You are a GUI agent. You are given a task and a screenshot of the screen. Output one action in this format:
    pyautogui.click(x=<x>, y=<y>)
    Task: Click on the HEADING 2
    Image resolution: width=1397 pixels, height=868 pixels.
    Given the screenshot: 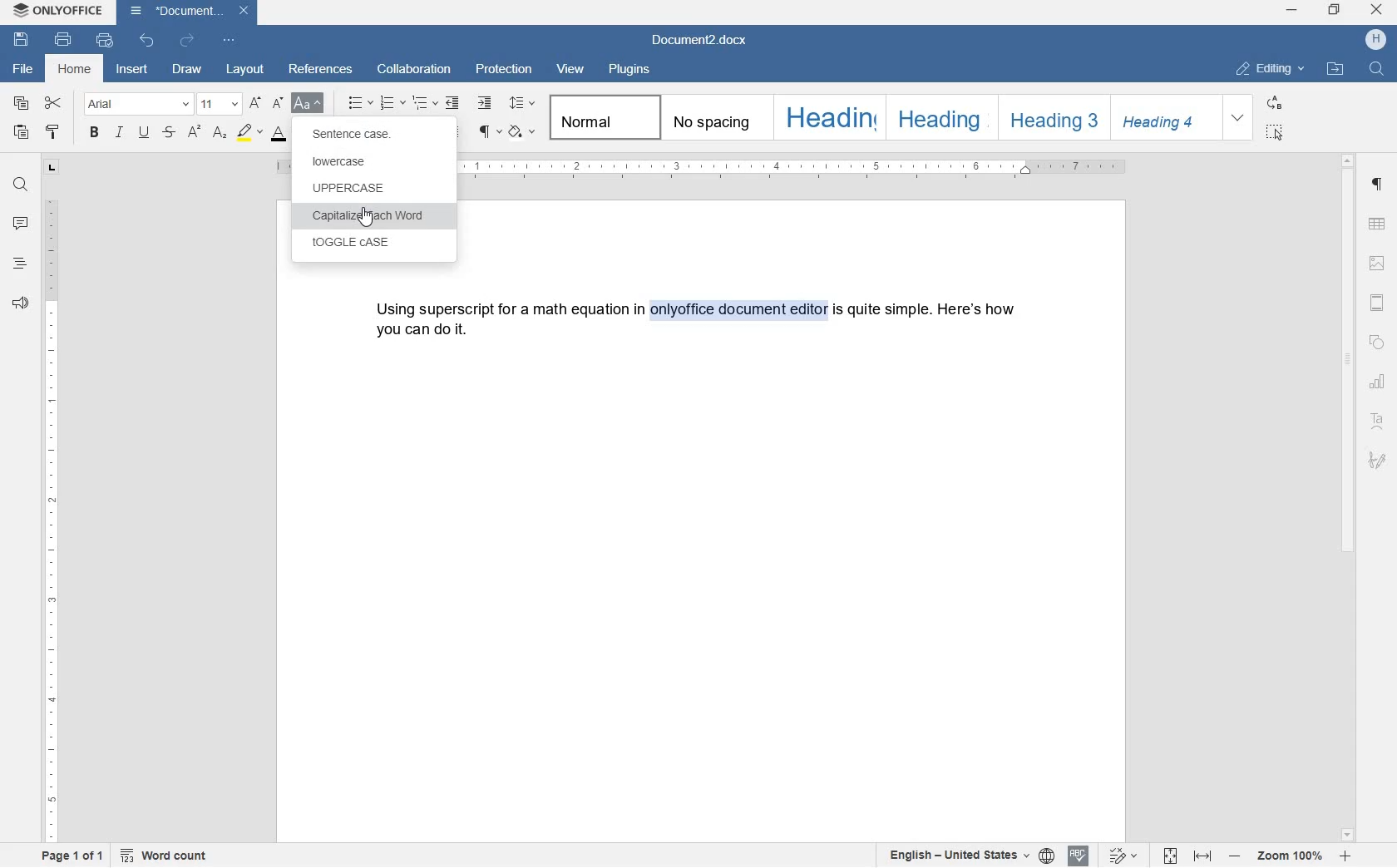 What is the action you would take?
    pyautogui.click(x=937, y=116)
    